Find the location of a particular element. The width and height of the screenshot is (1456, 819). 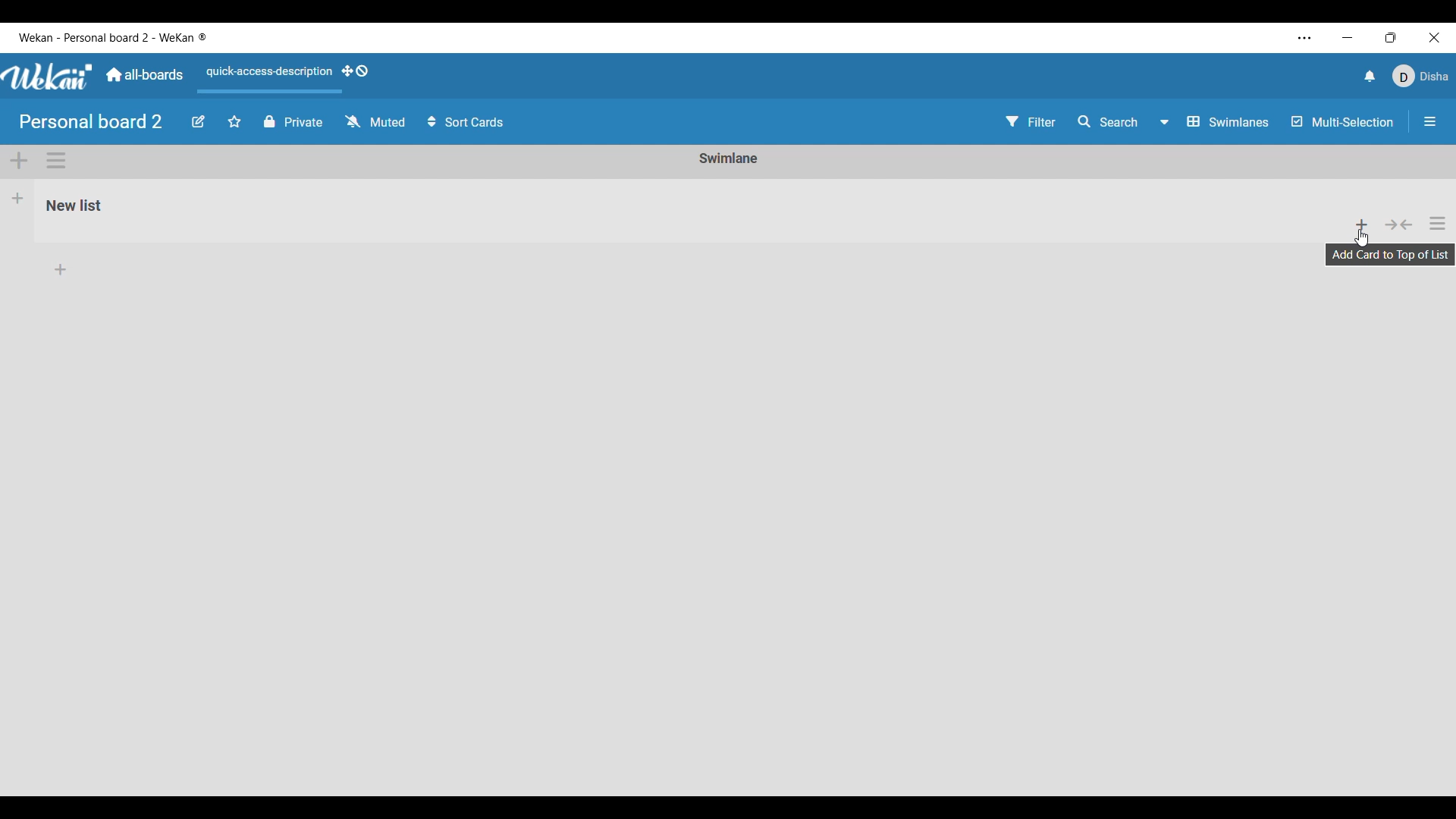

Minimize is located at coordinates (1348, 38).